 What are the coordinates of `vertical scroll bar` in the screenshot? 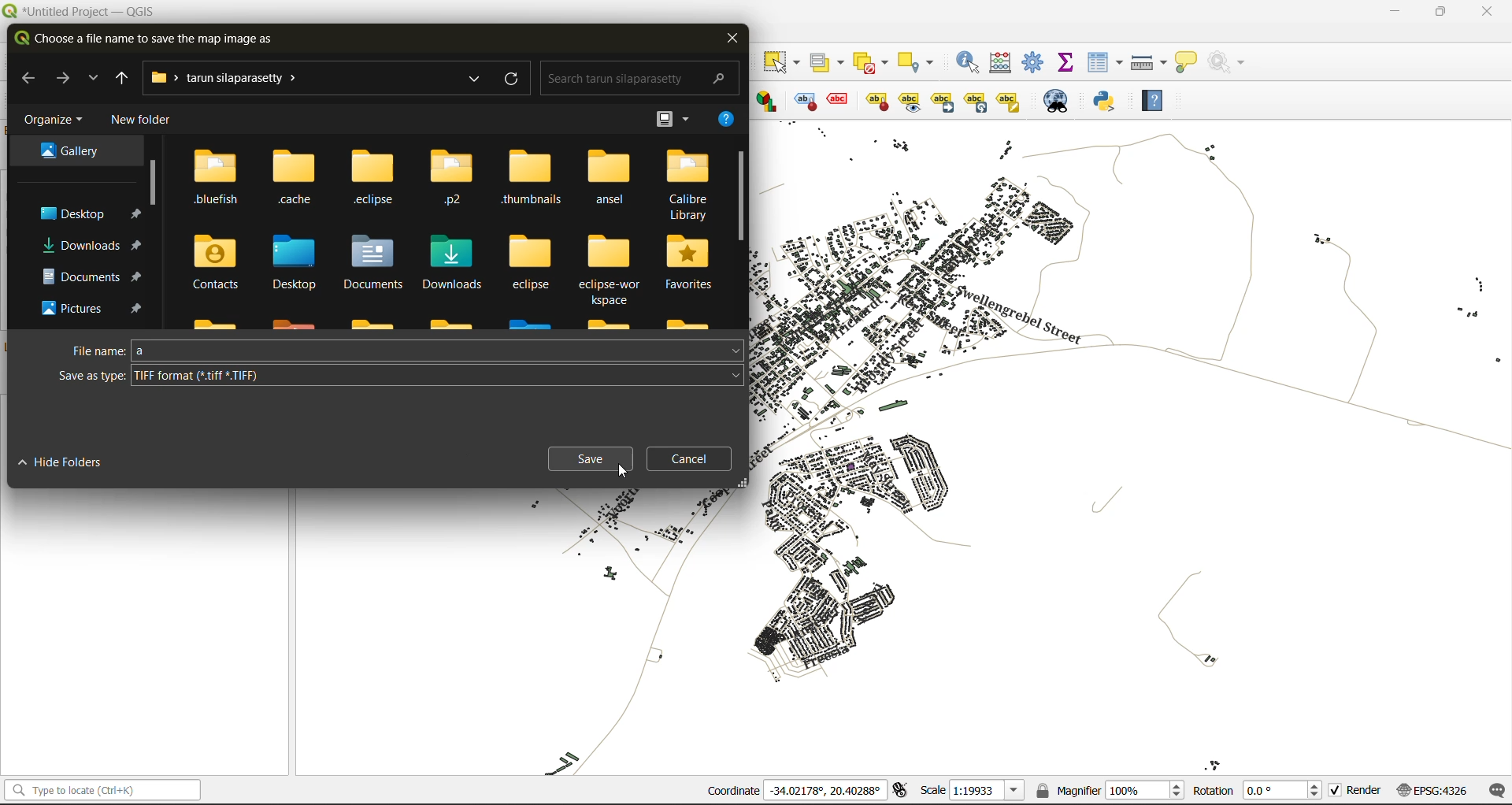 It's located at (740, 198).